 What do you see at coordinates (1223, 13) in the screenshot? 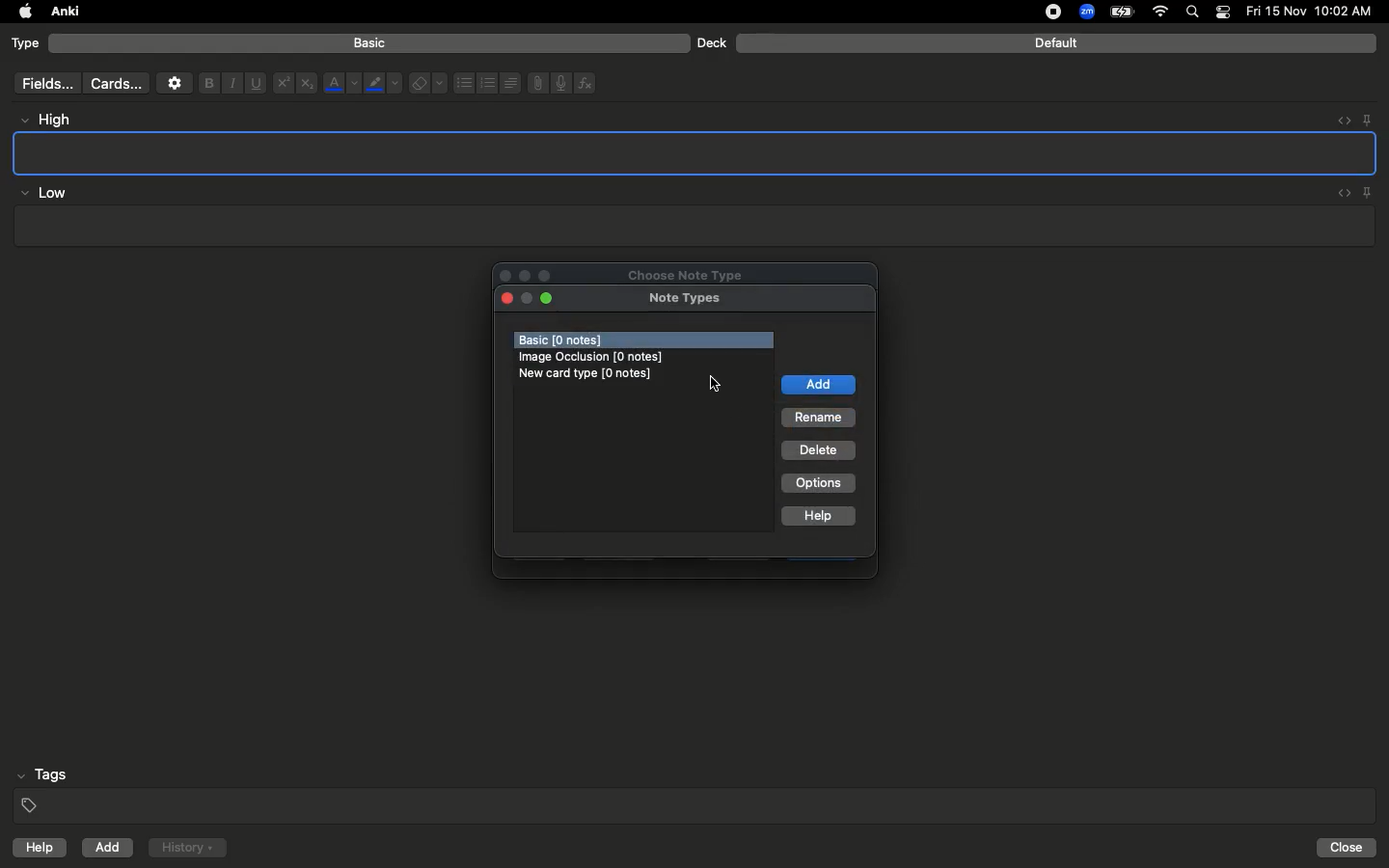
I see `Notification bar` at bounding box center [1223, 13].